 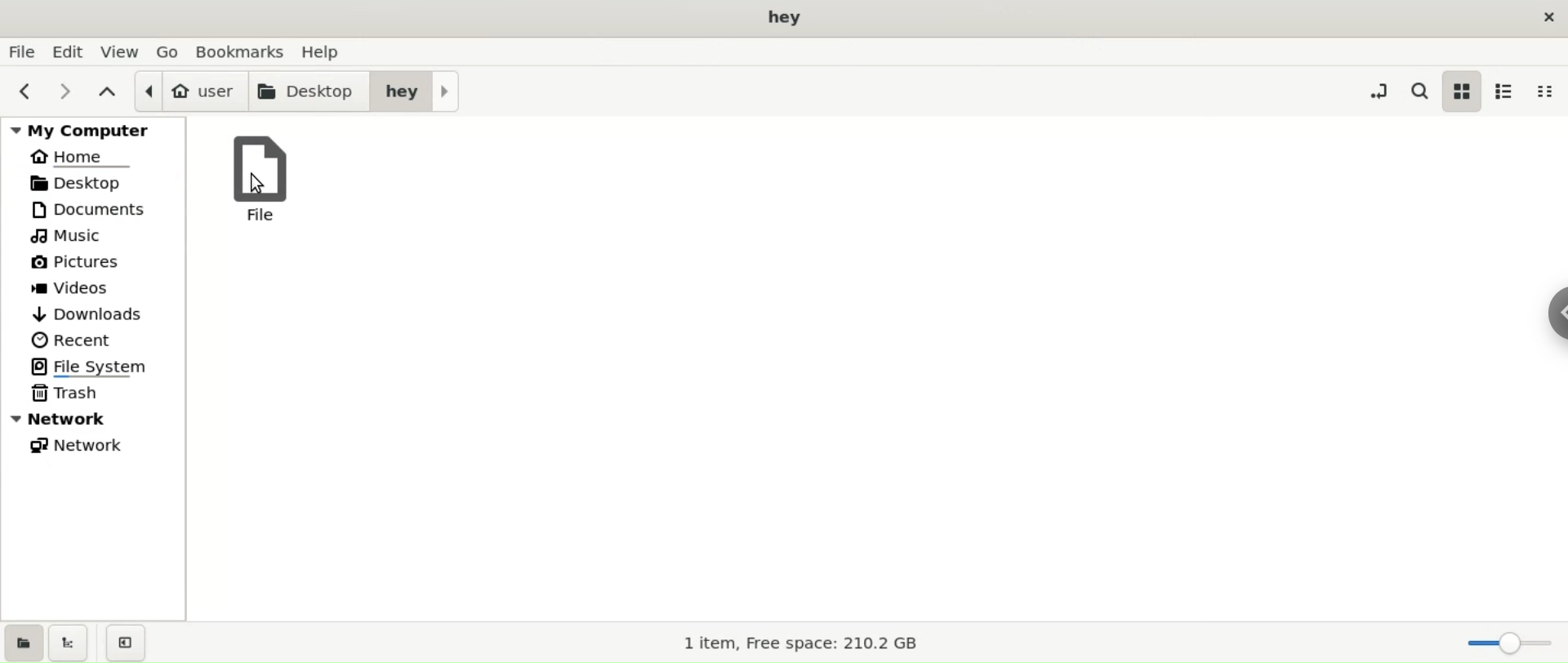 What do you see at coordinates (794, 643) in the screenshot?
I see `storage` at bounding box center [794, 643].